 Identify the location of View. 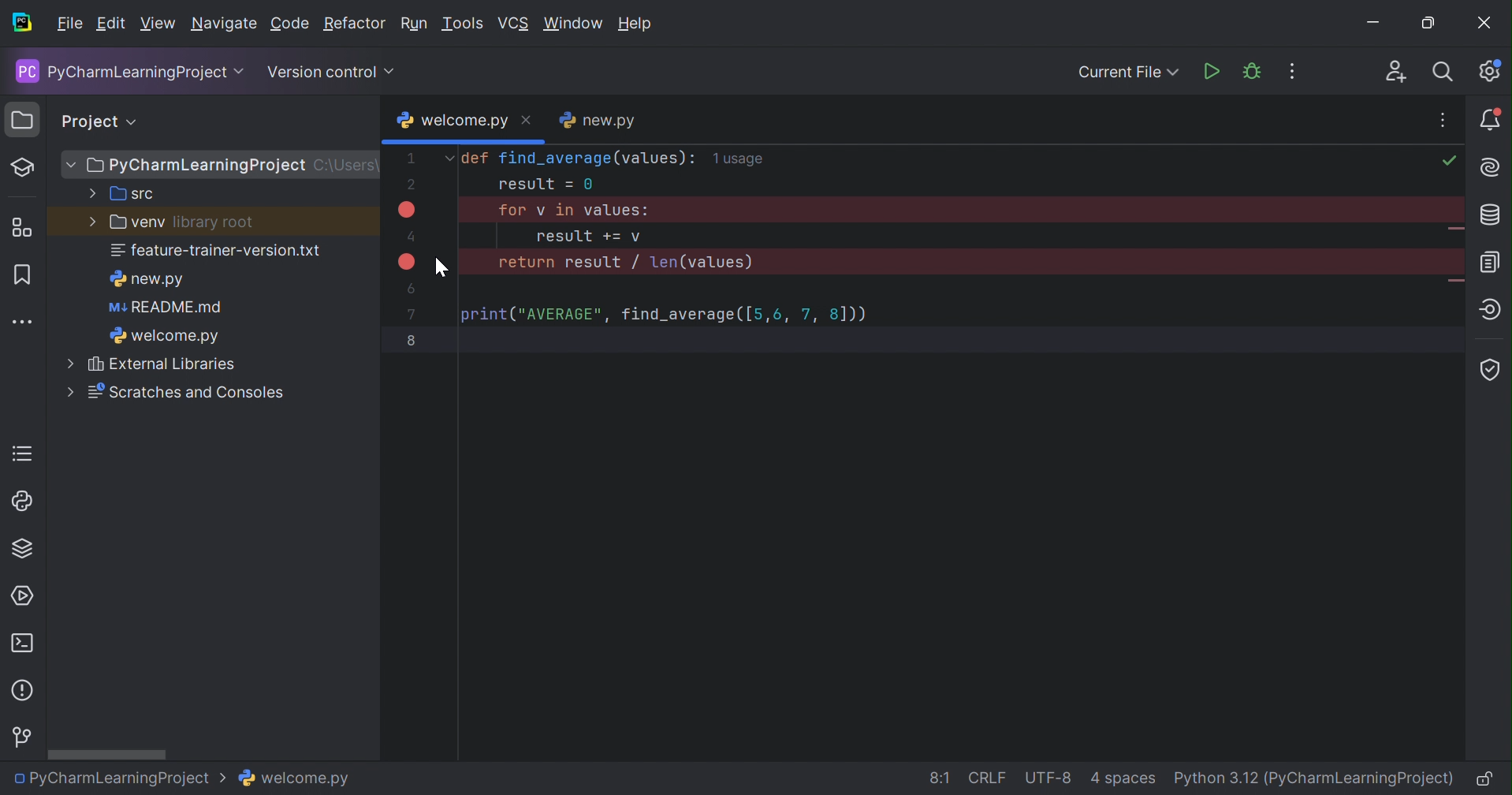
(156, 24).